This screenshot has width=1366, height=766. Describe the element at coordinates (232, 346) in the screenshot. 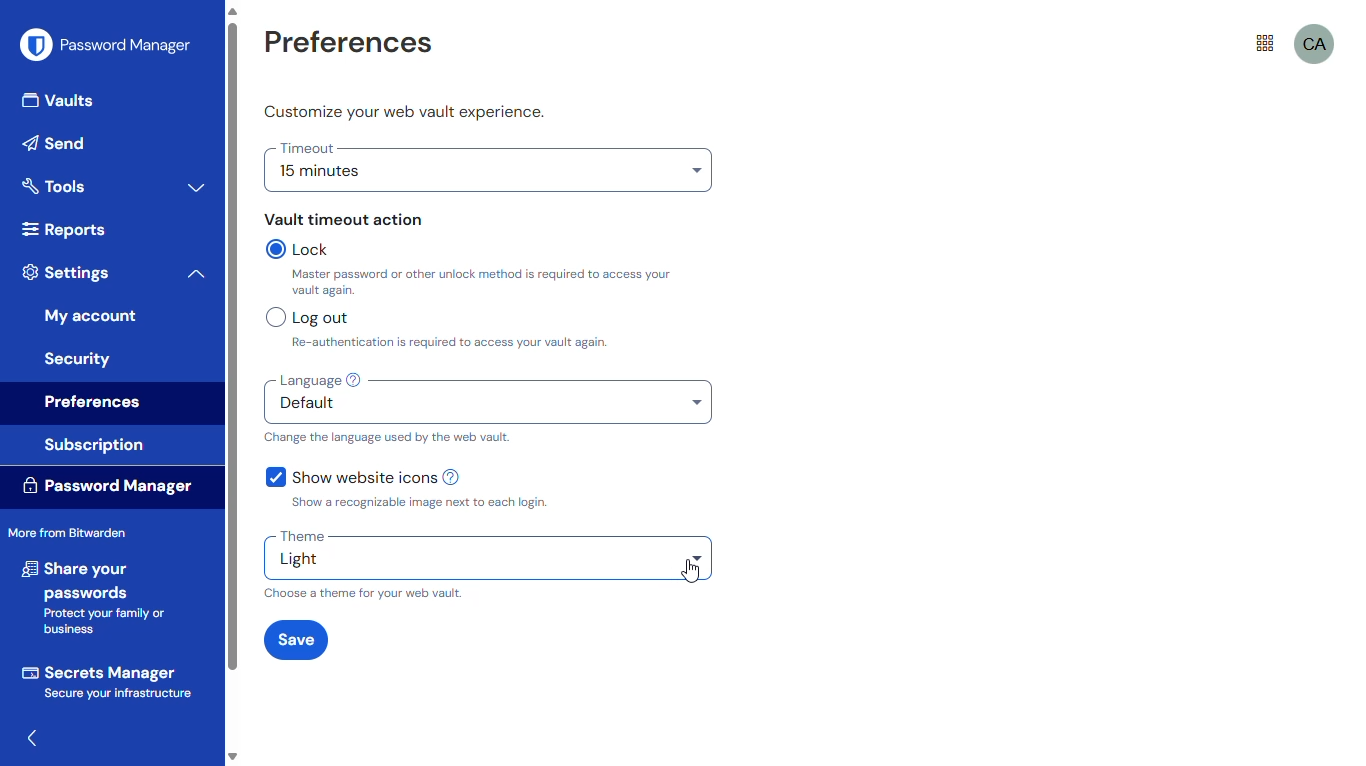

I see `vertical scroll bar` at that location.